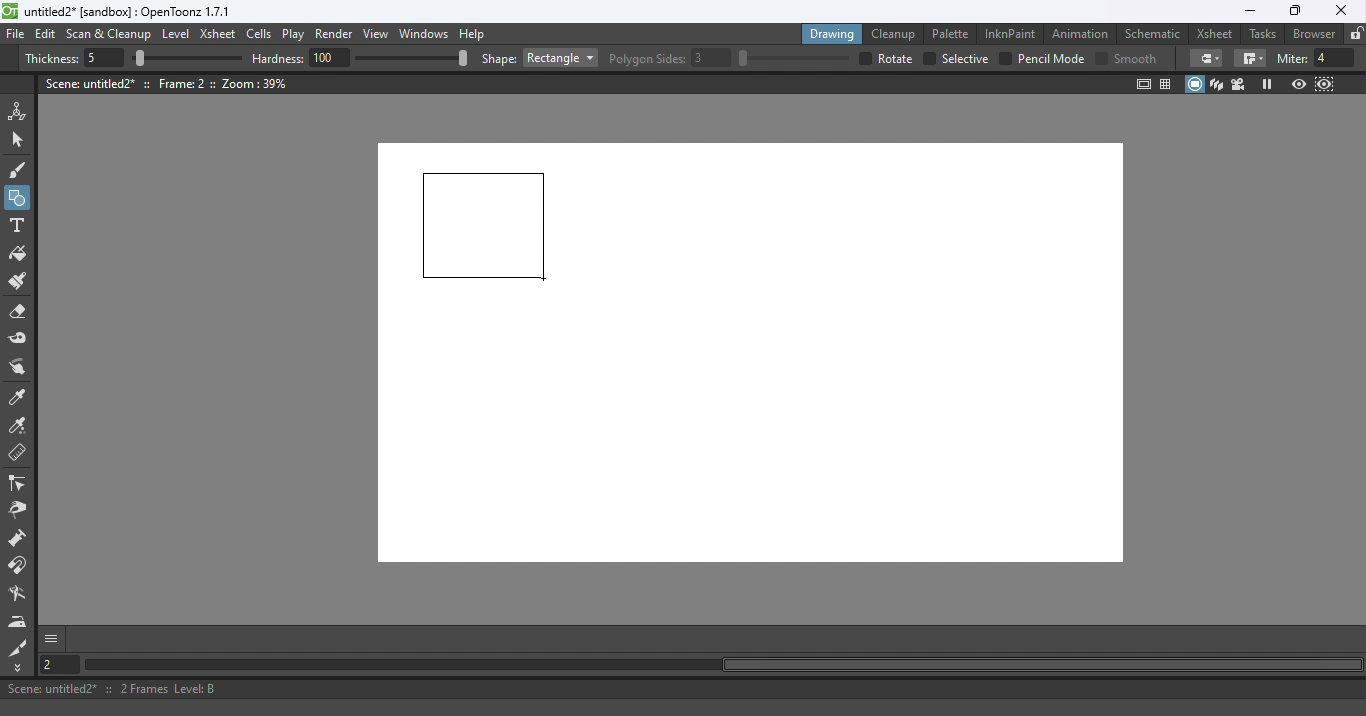 This screenshot has height=716, width=1366. What do you see at coordinates (262, 35) in the screenshot?
I see `Cells` at bounding box center [262, 35].